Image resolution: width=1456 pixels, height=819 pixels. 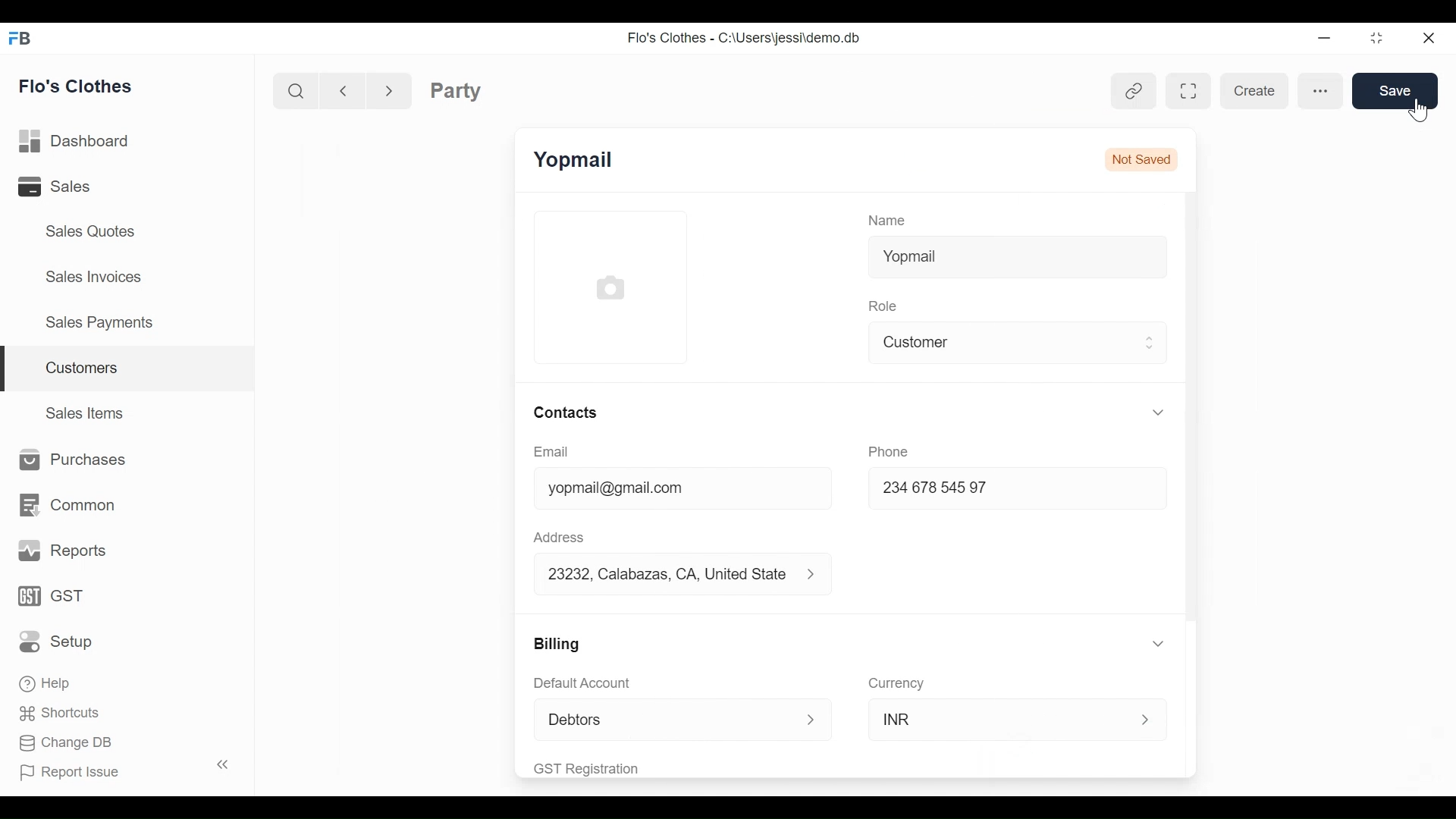 I want to click on Cursor, so click(x=1420, y=111).